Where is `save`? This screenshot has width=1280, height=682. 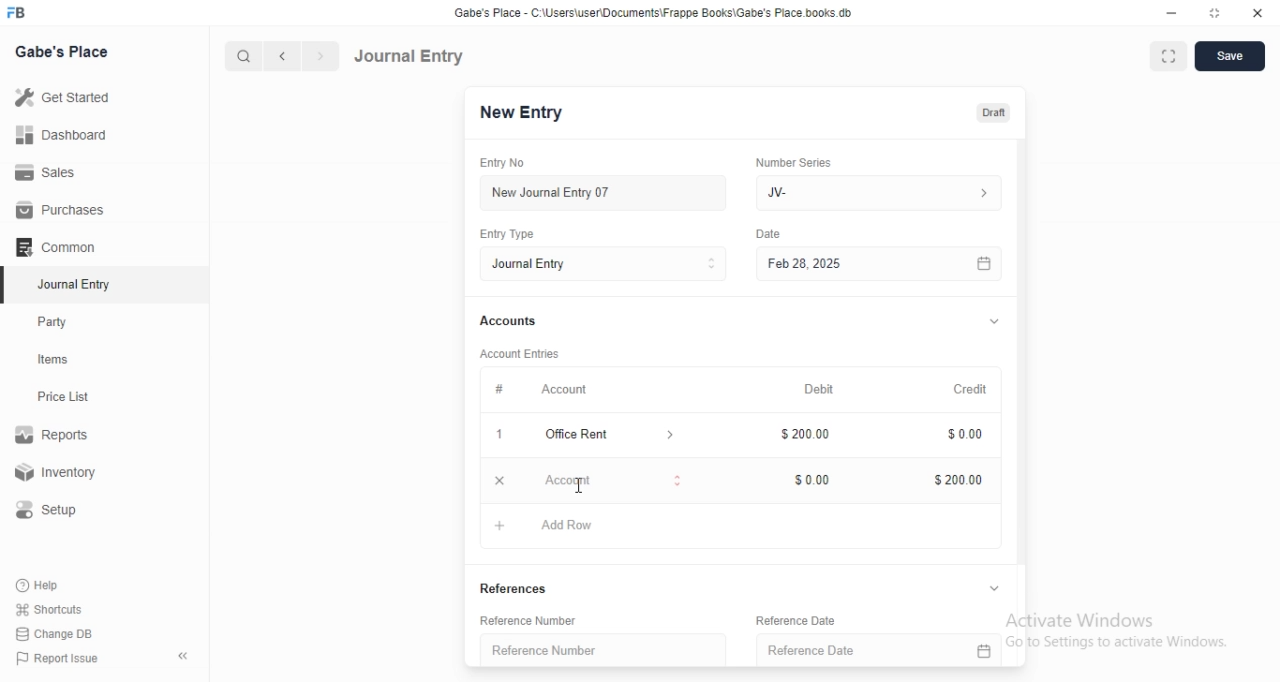 save is located at coordinates (1231, 56).